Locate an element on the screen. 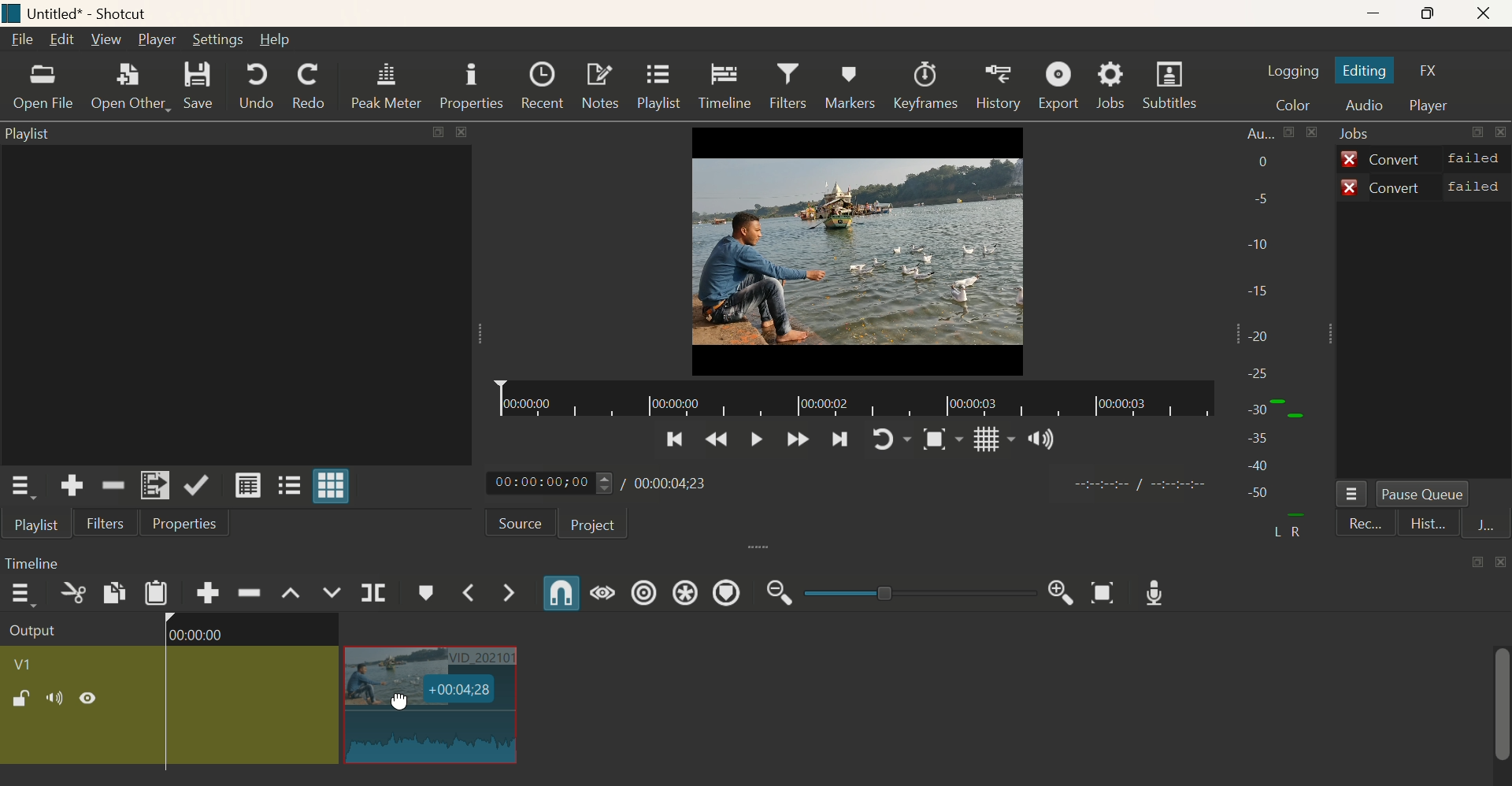 The height and width of the screenshot is (786, 1512). Redo is located at coordinates (309, 86).